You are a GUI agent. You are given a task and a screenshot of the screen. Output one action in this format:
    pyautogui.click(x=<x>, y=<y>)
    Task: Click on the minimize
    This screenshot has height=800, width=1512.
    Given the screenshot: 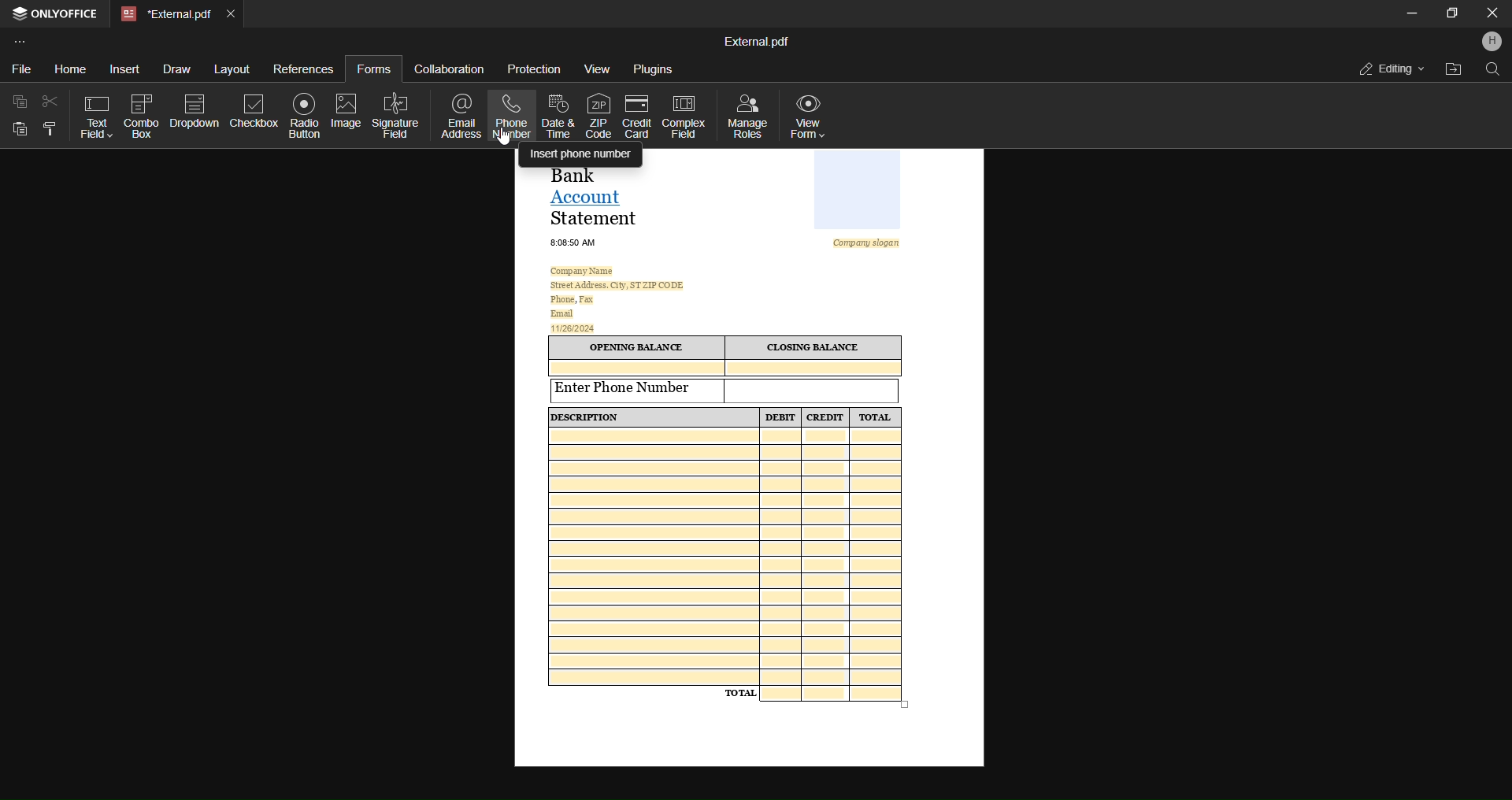 What is the action you would take?
    pyautogui.click(x=1411, y=12)
    